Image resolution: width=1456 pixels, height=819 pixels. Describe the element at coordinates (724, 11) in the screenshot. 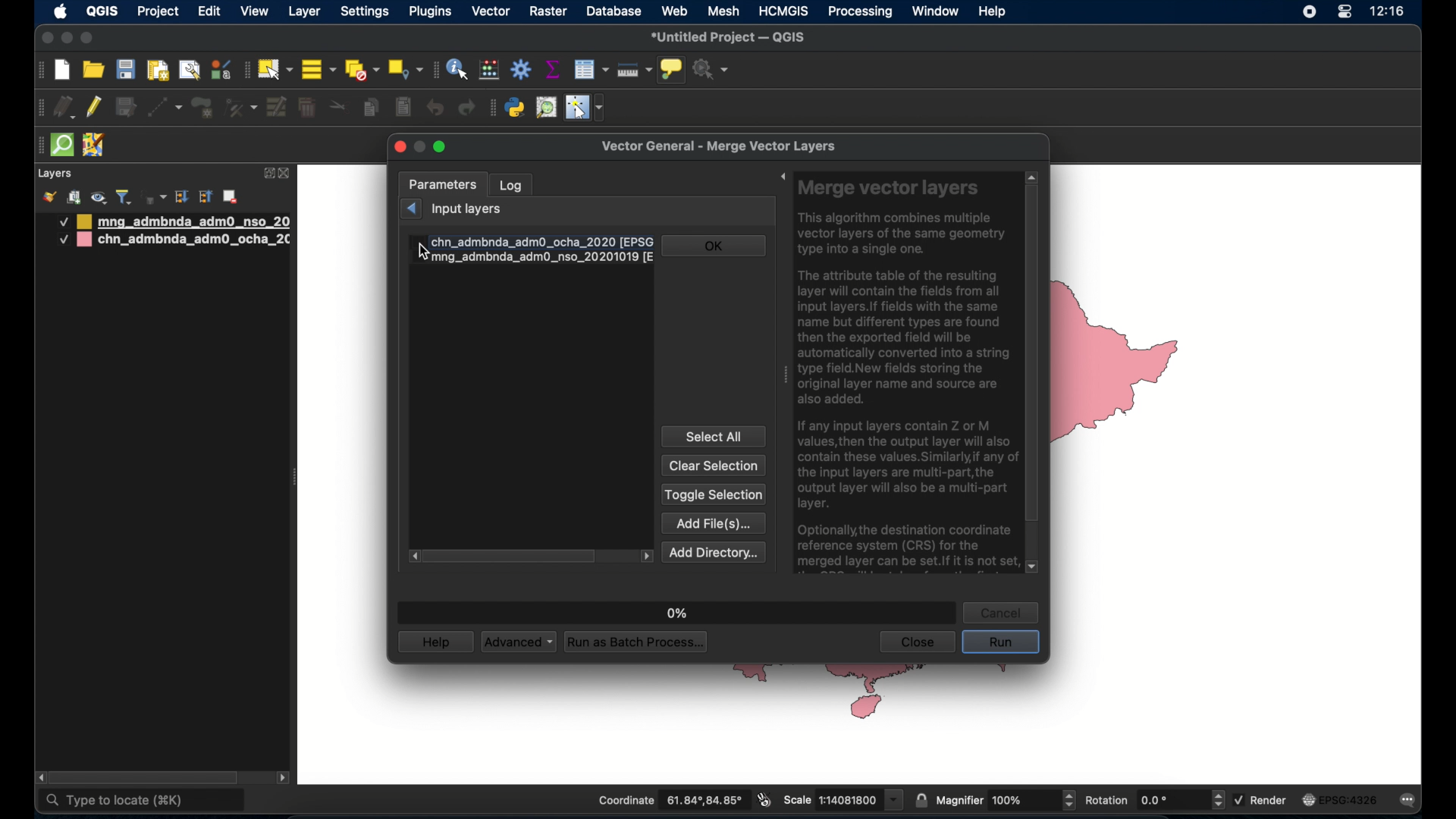

I see `mesh` at that location.